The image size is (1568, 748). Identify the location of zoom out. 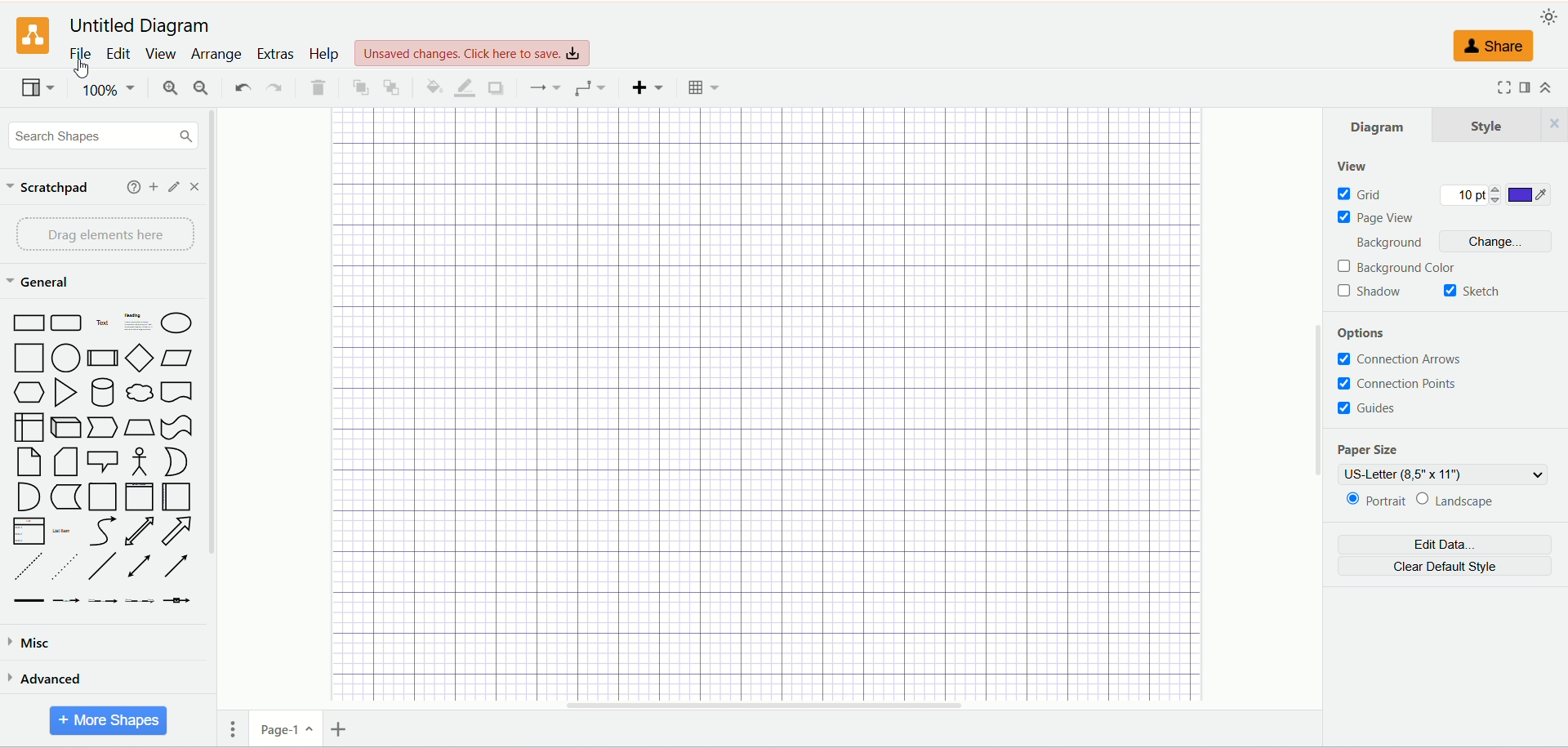
(202, 87).